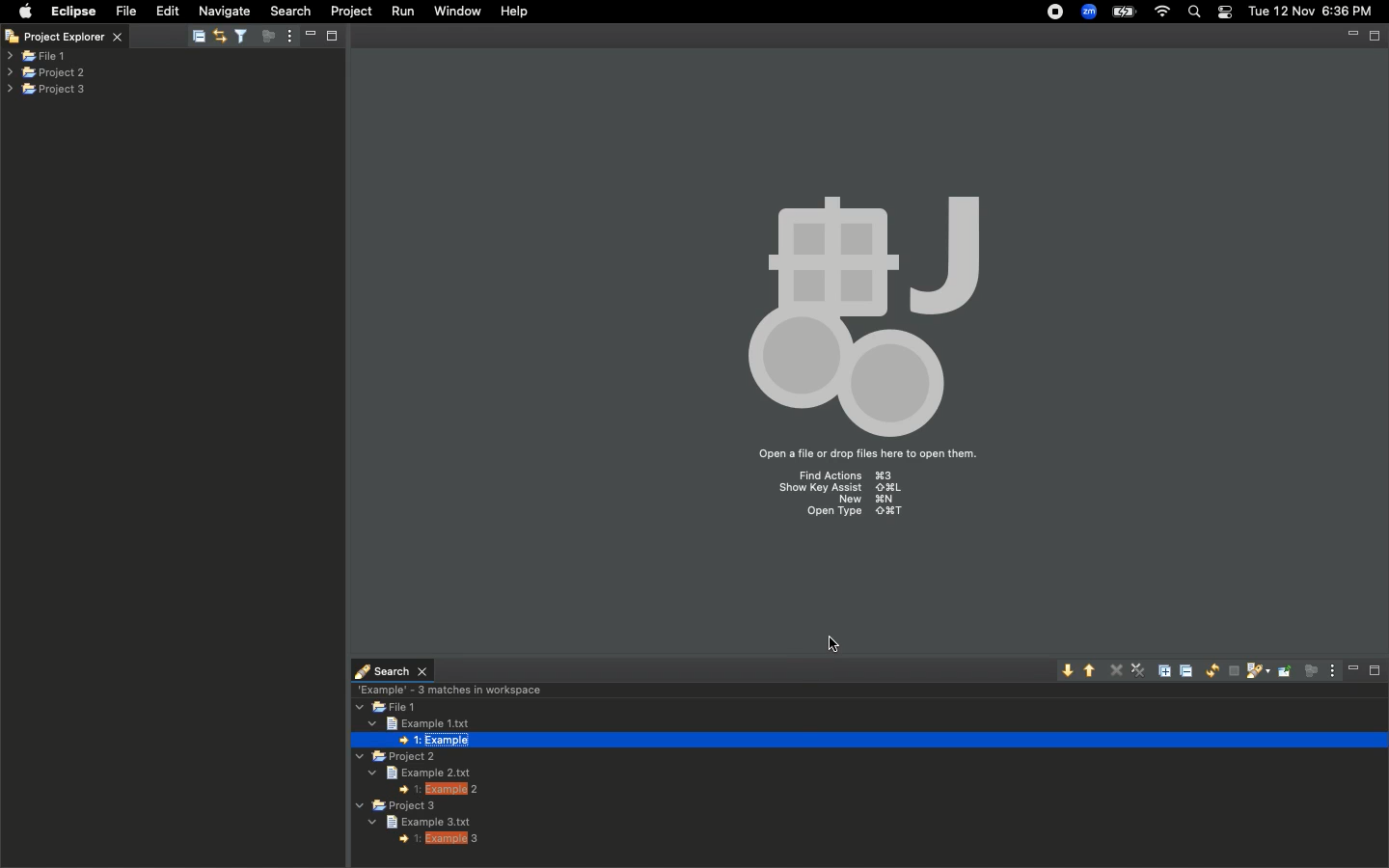  Describe the element at coordinates (1090, 12) in the screenshot. I see `Zoom` at that location.